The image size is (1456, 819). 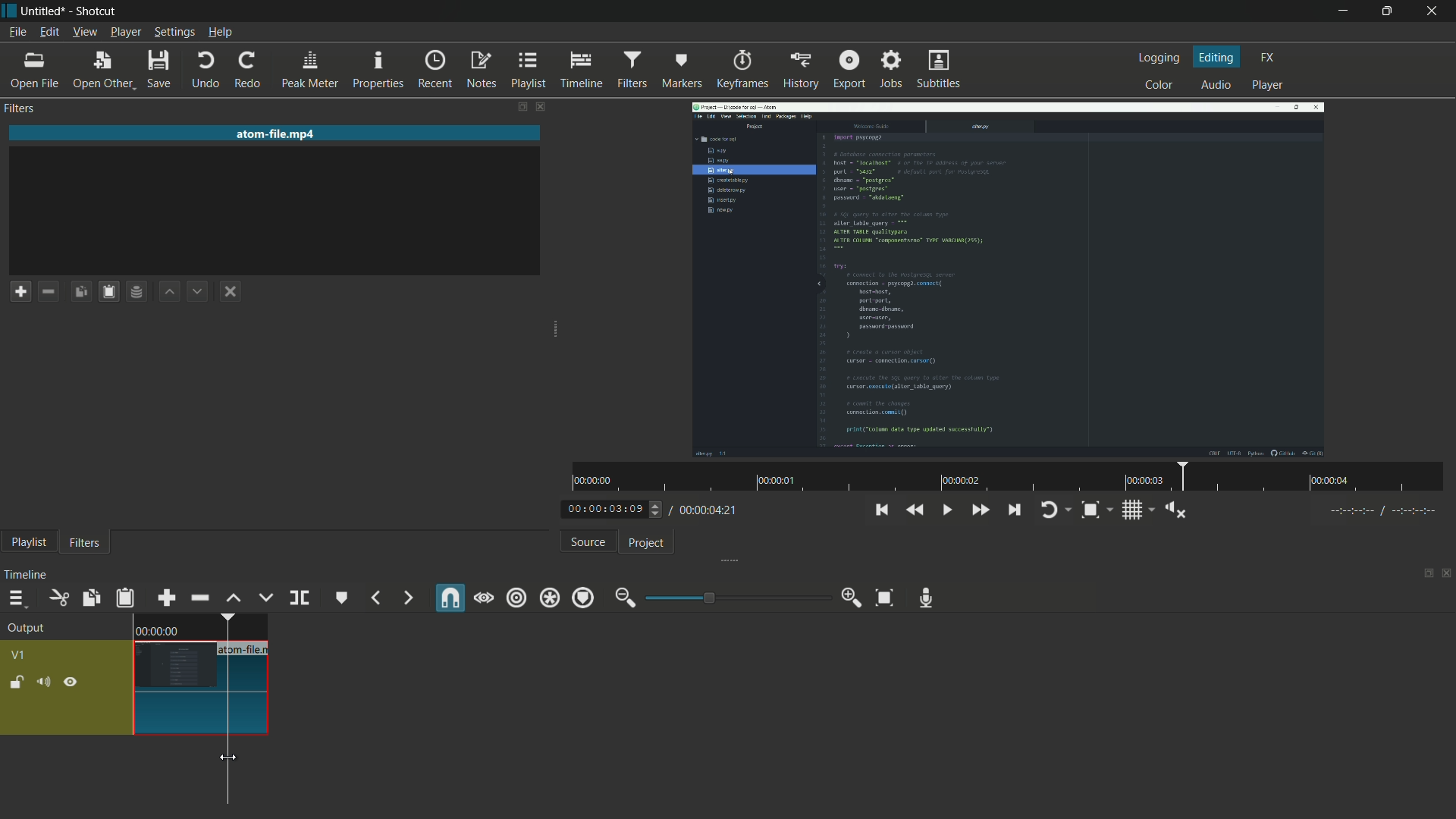 I want to click on source, so click(x=590, y=543).